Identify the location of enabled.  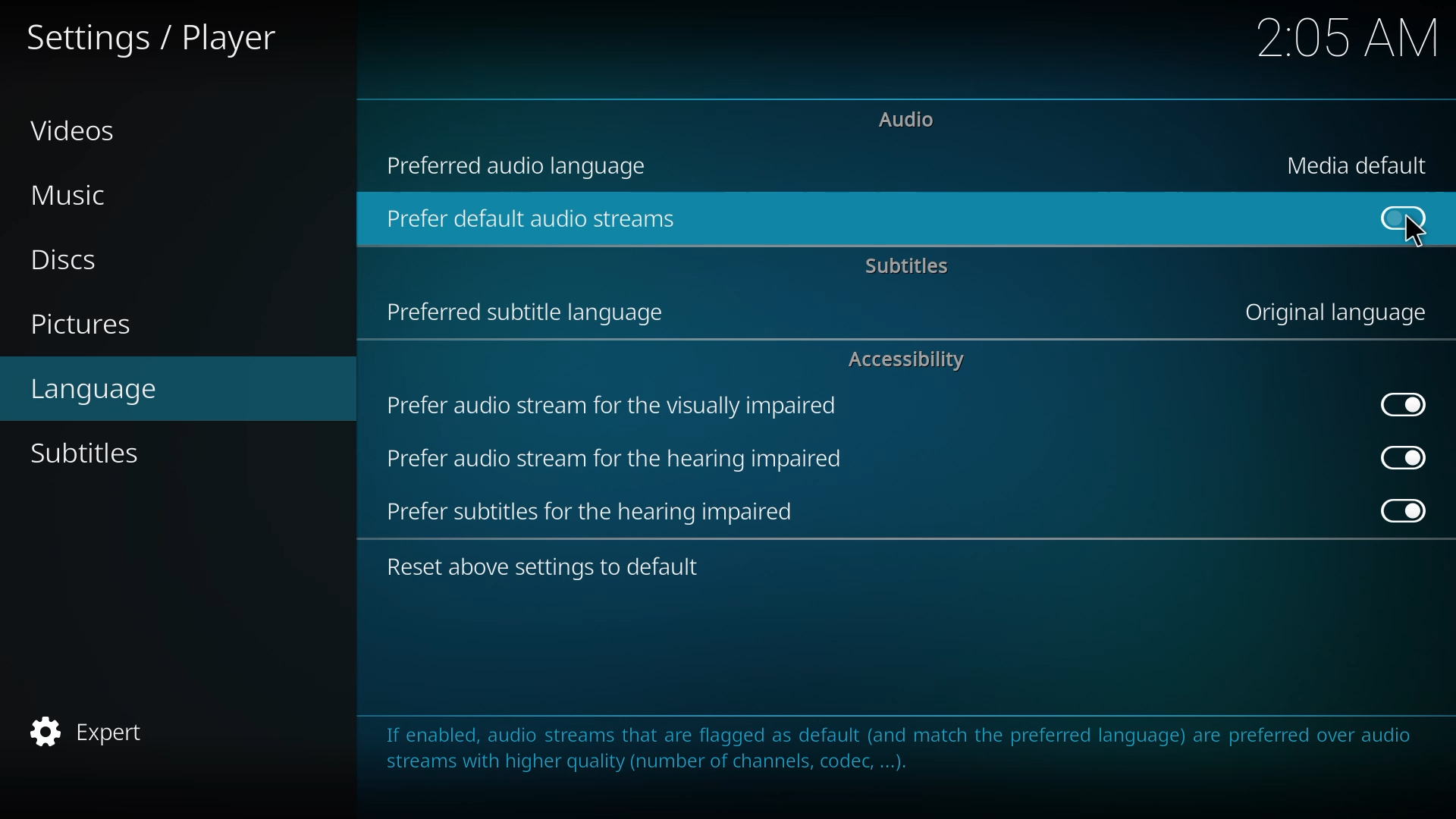
(1403, 512).